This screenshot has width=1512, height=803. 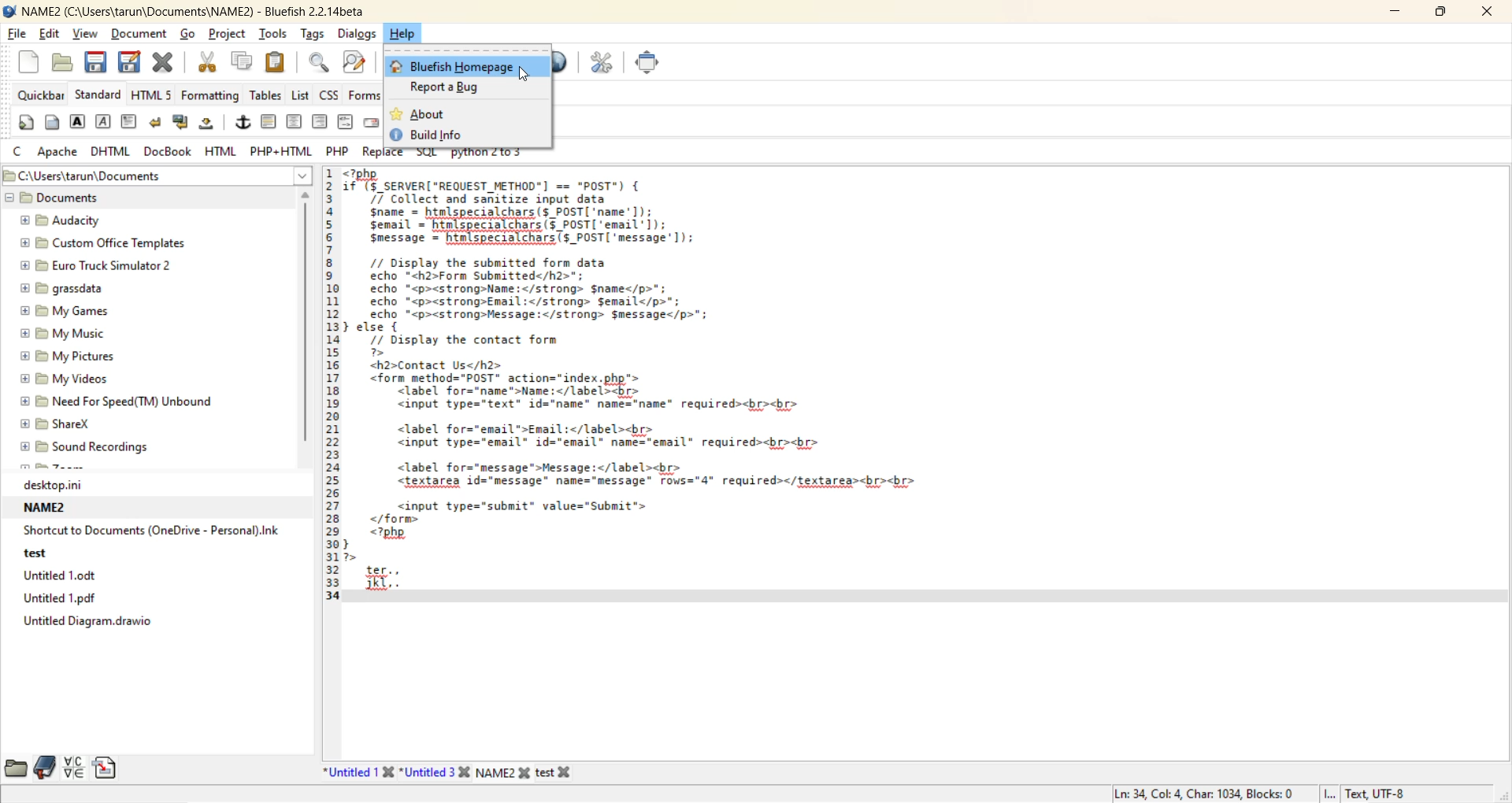 What do you see at coordinates (301, 94) in the screenshot?
I see `list` at bounding box center [301, 94].